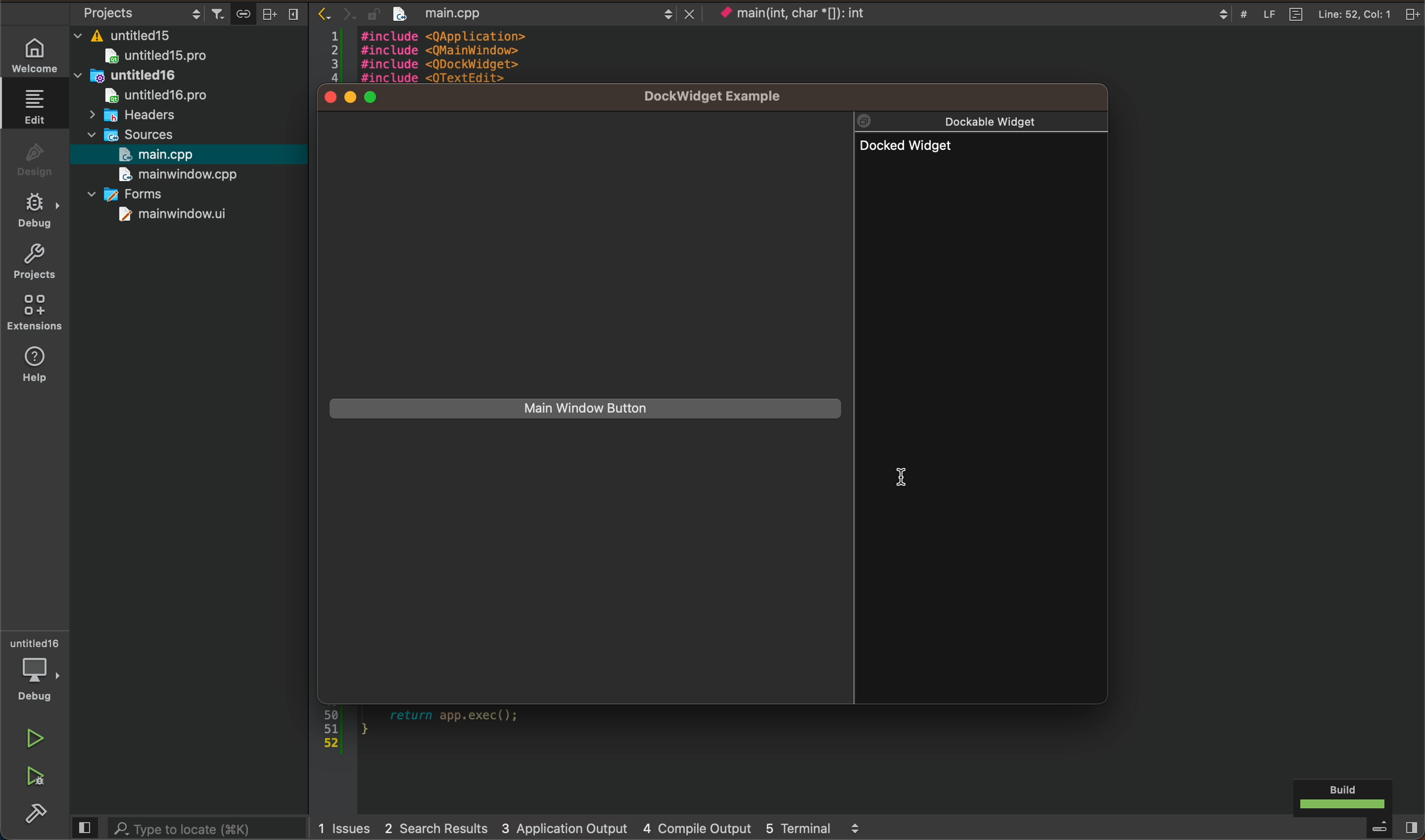 The image size is (1425, 840). I want to click on untitled15pro, so click(158, 57).